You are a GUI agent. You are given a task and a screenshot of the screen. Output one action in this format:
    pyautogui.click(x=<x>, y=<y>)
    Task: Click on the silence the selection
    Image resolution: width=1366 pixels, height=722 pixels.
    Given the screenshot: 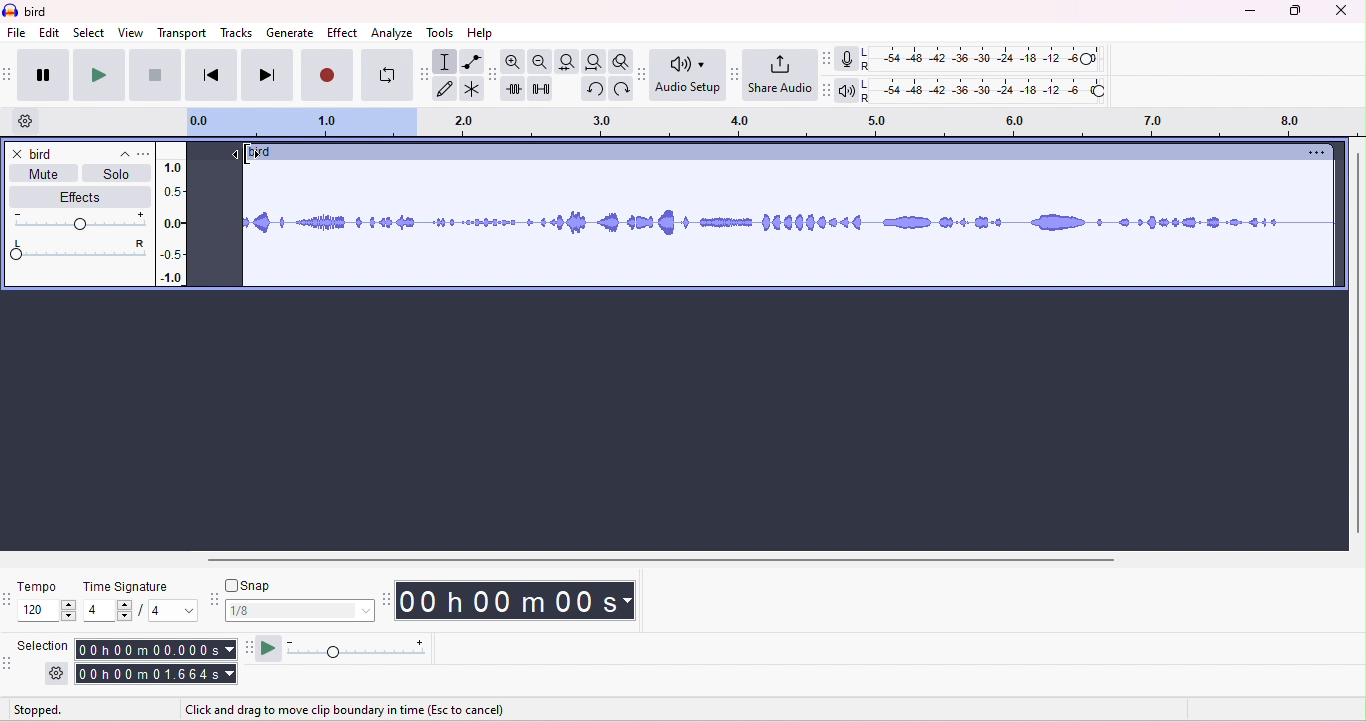 What is the action you would take?
    pyautogui.click(x=541, y=90)
    